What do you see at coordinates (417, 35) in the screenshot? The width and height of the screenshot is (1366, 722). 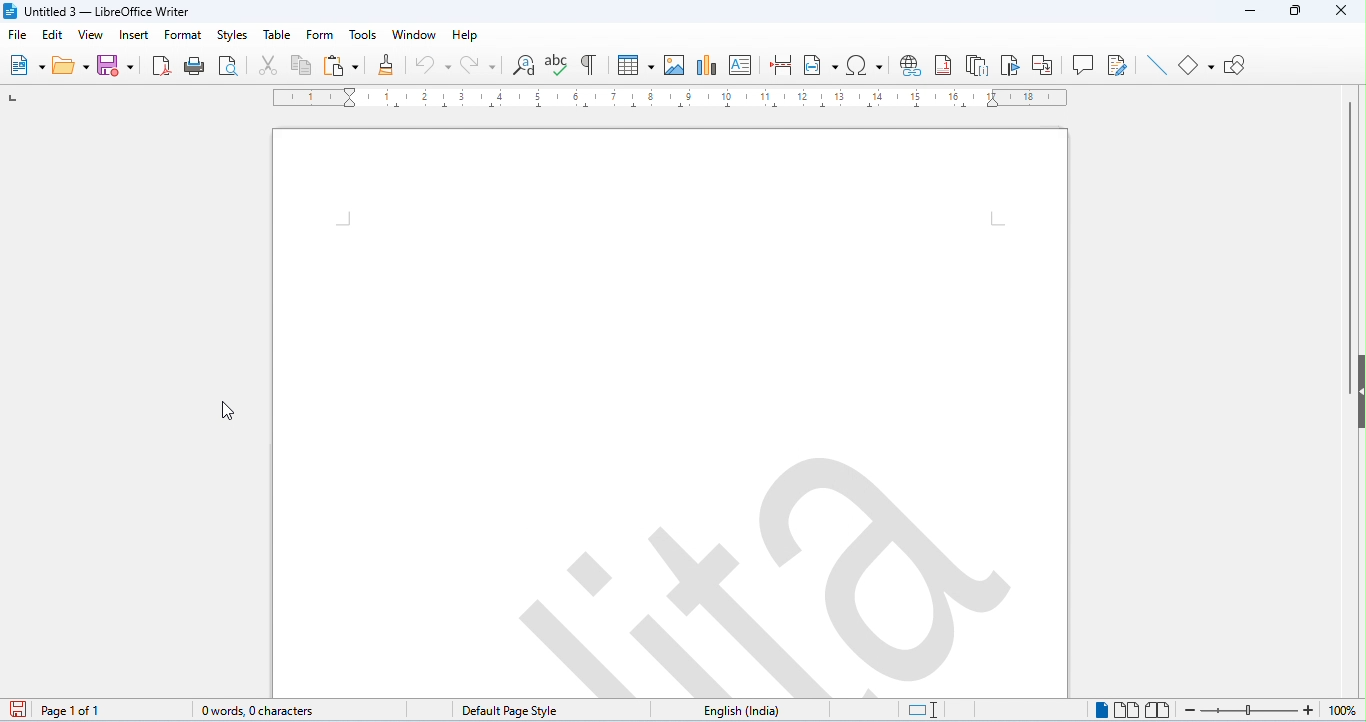 I see `window` at bounding box center [417, 35].